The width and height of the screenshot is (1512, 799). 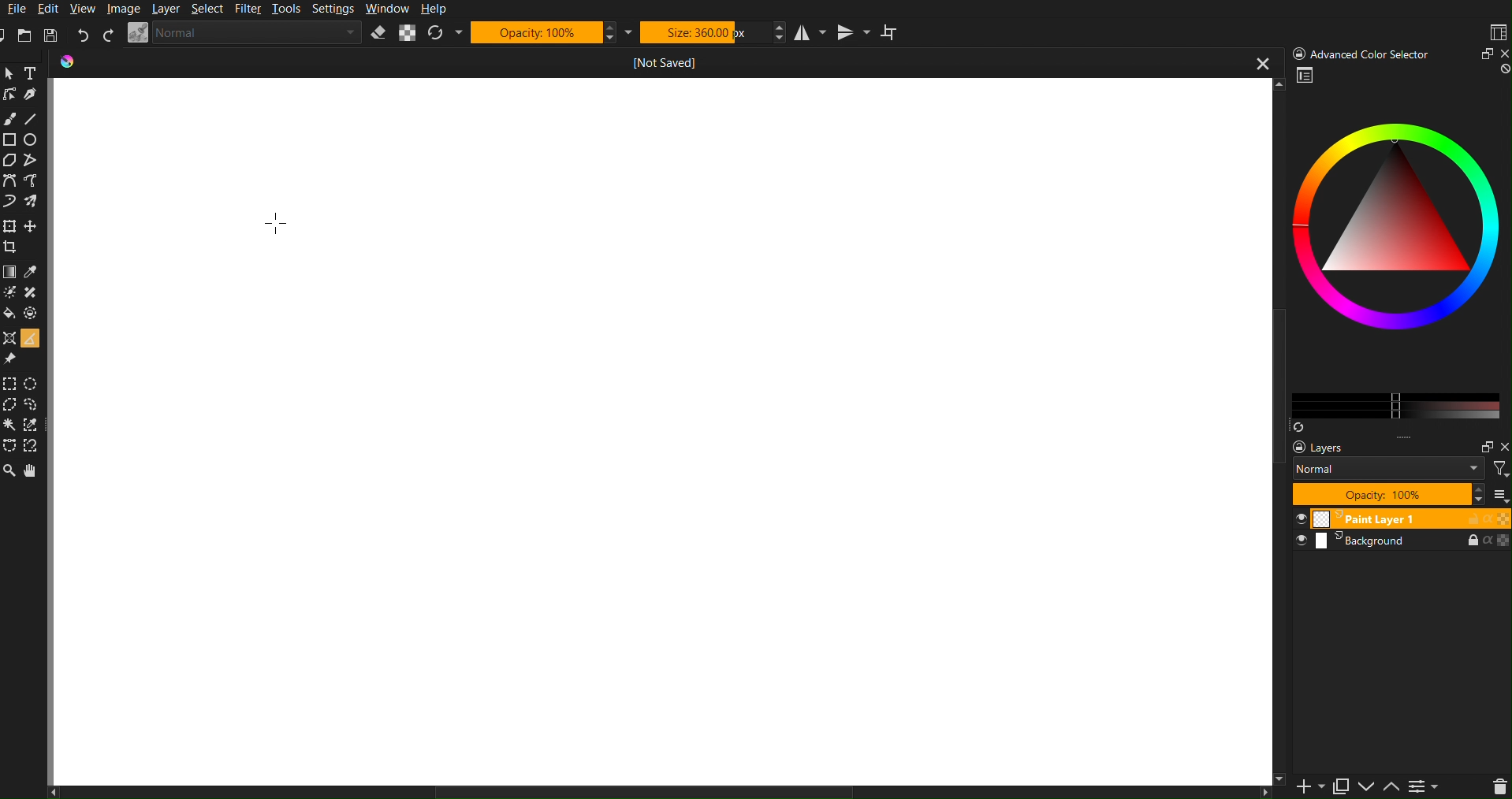 What do you see at coordinates (34, 200) in the screenshot?
I see `Brushes` at bounding box center [34, 200].